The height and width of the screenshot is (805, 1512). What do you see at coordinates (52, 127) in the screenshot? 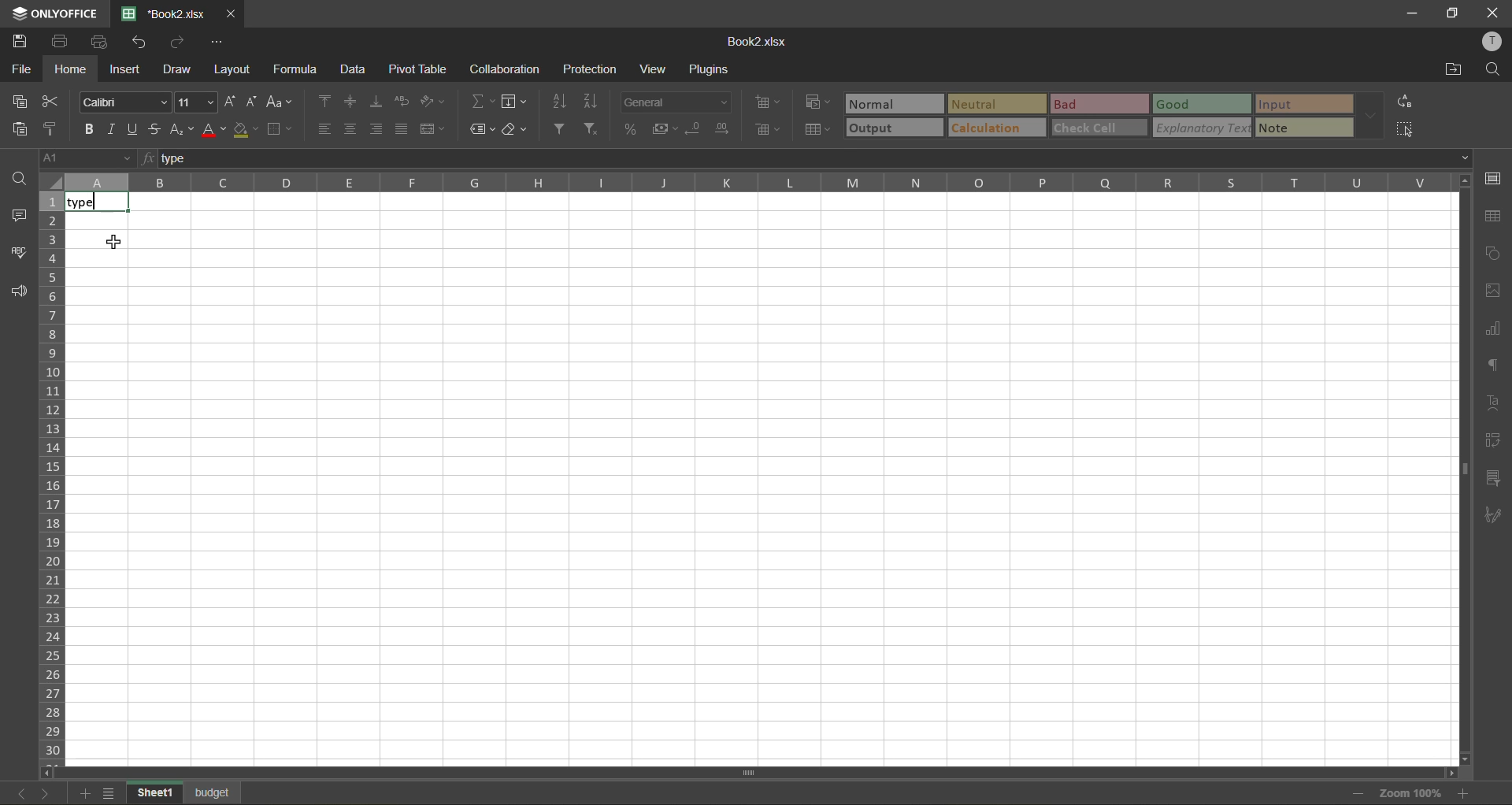
I see `copy style` at bounding box center [52, 127].